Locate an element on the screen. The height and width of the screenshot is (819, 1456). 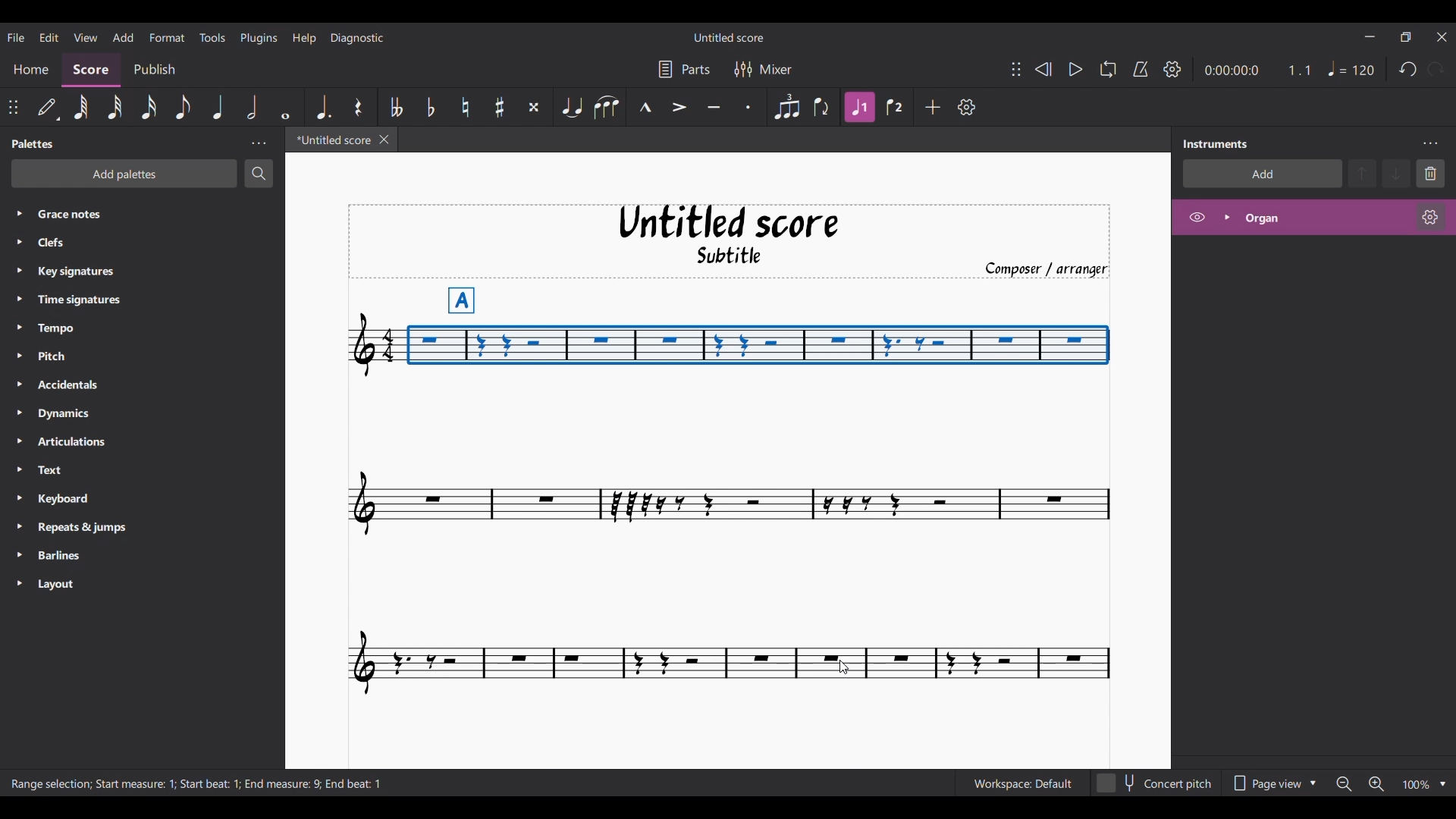
Panel title is located at coordinates (1219, 144).